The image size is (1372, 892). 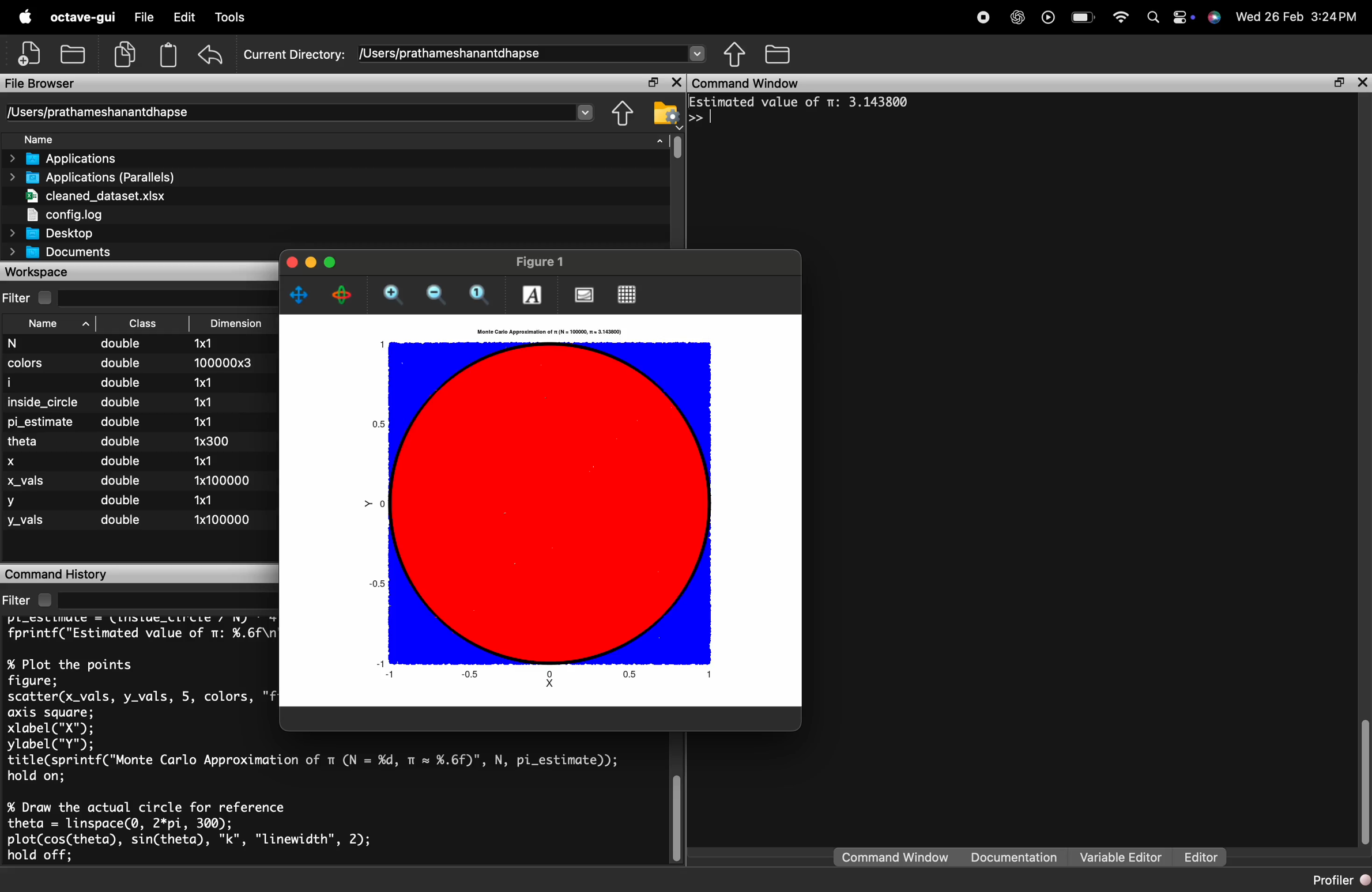 I want to click on y, so click(x=13, y=502).